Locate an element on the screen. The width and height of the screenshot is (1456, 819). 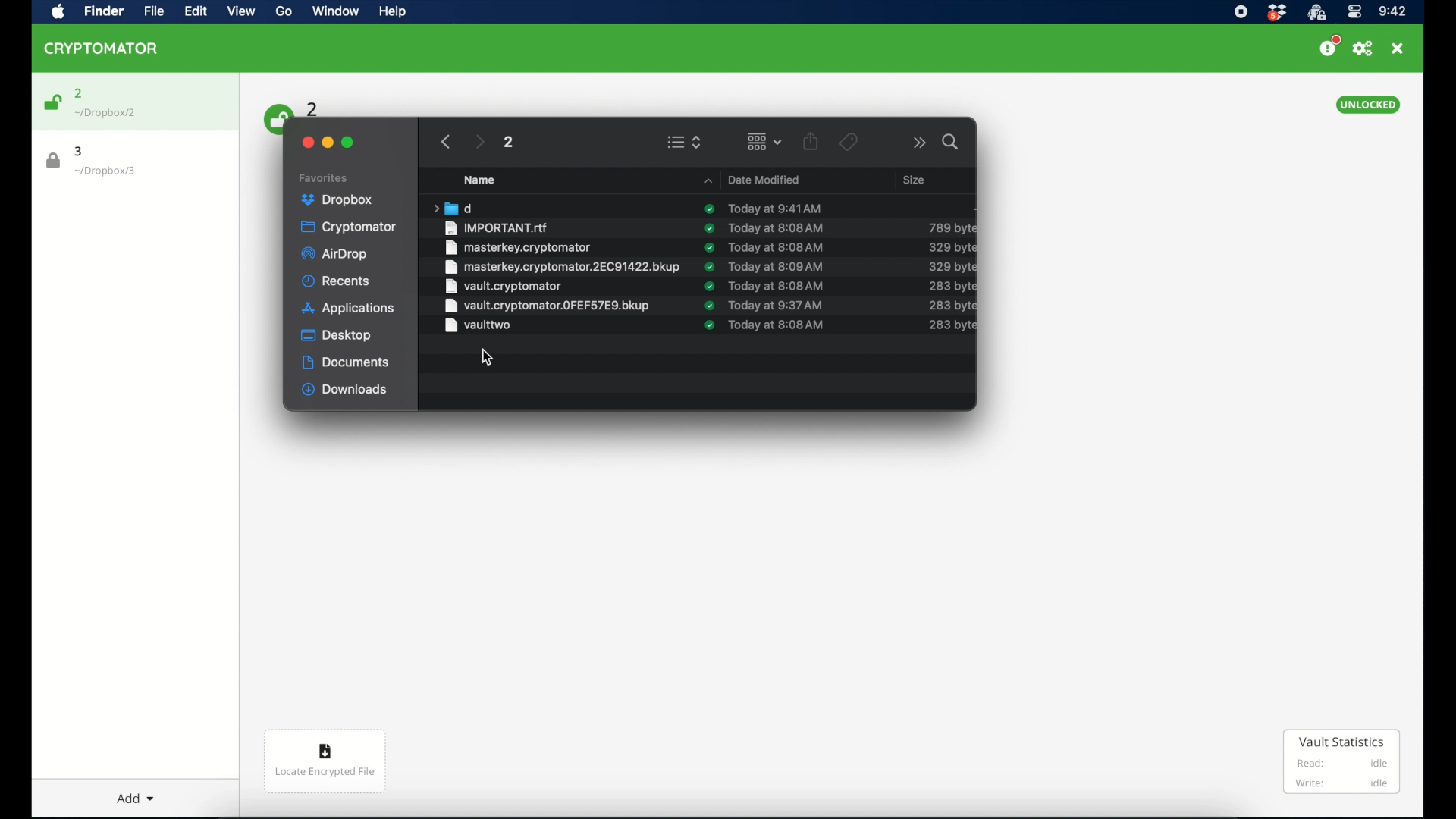
size is located at coordinates (950, 287).